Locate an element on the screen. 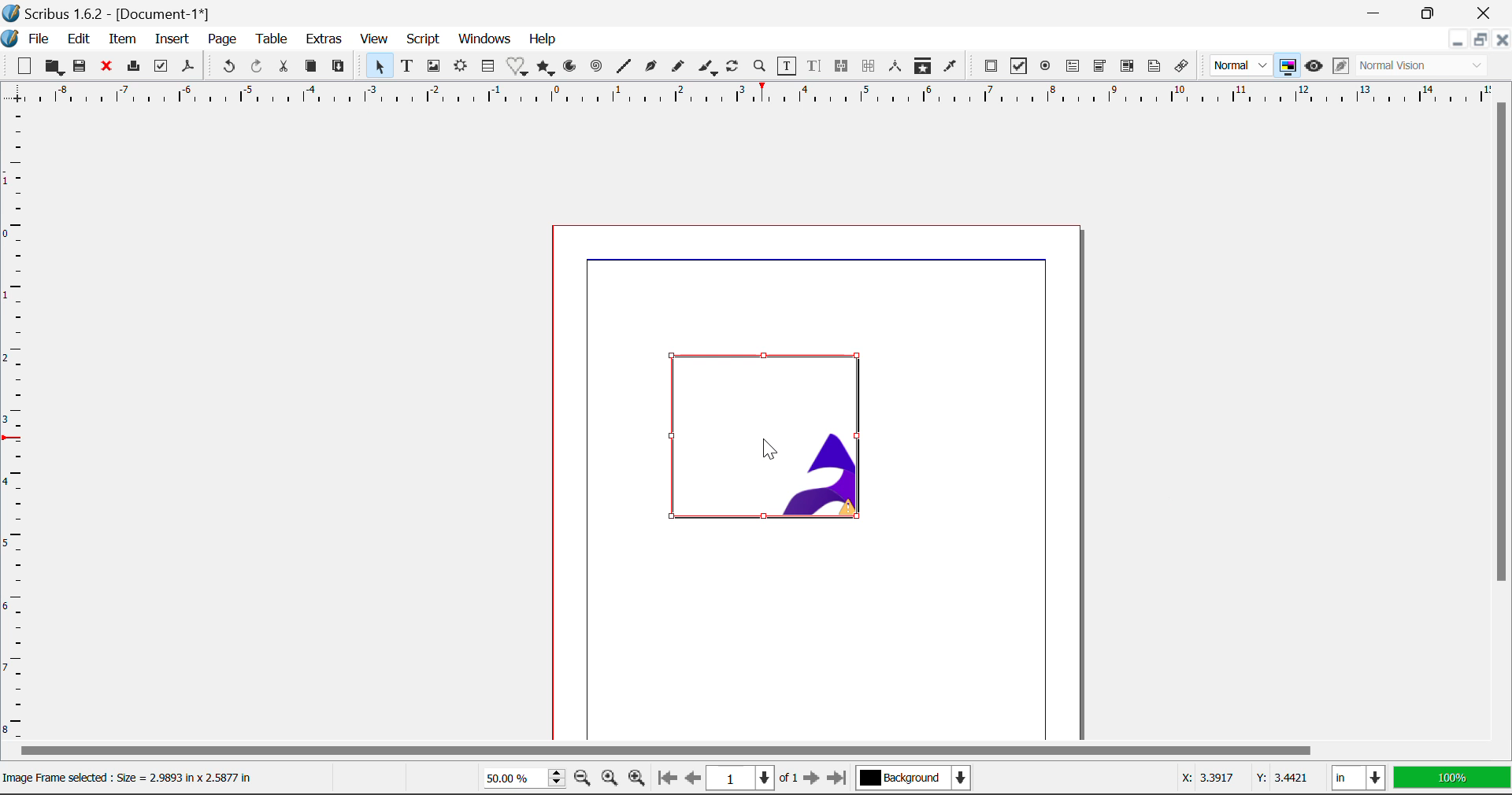 The width and height of the screenshot is (1512, 795). Page Background is located at coordinates (912, 775).